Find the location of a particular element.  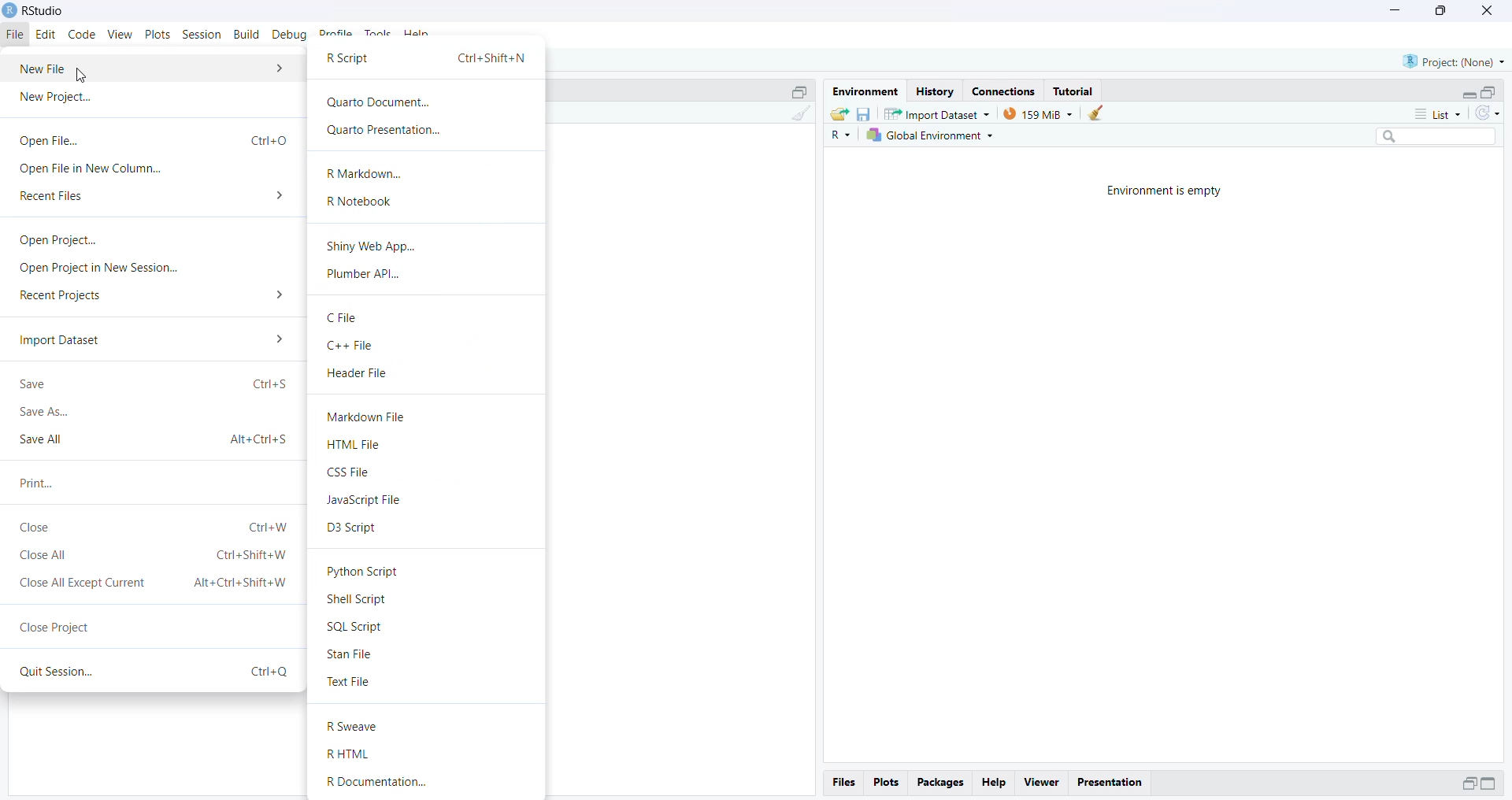

connections is located at coordinates (1008, 91).